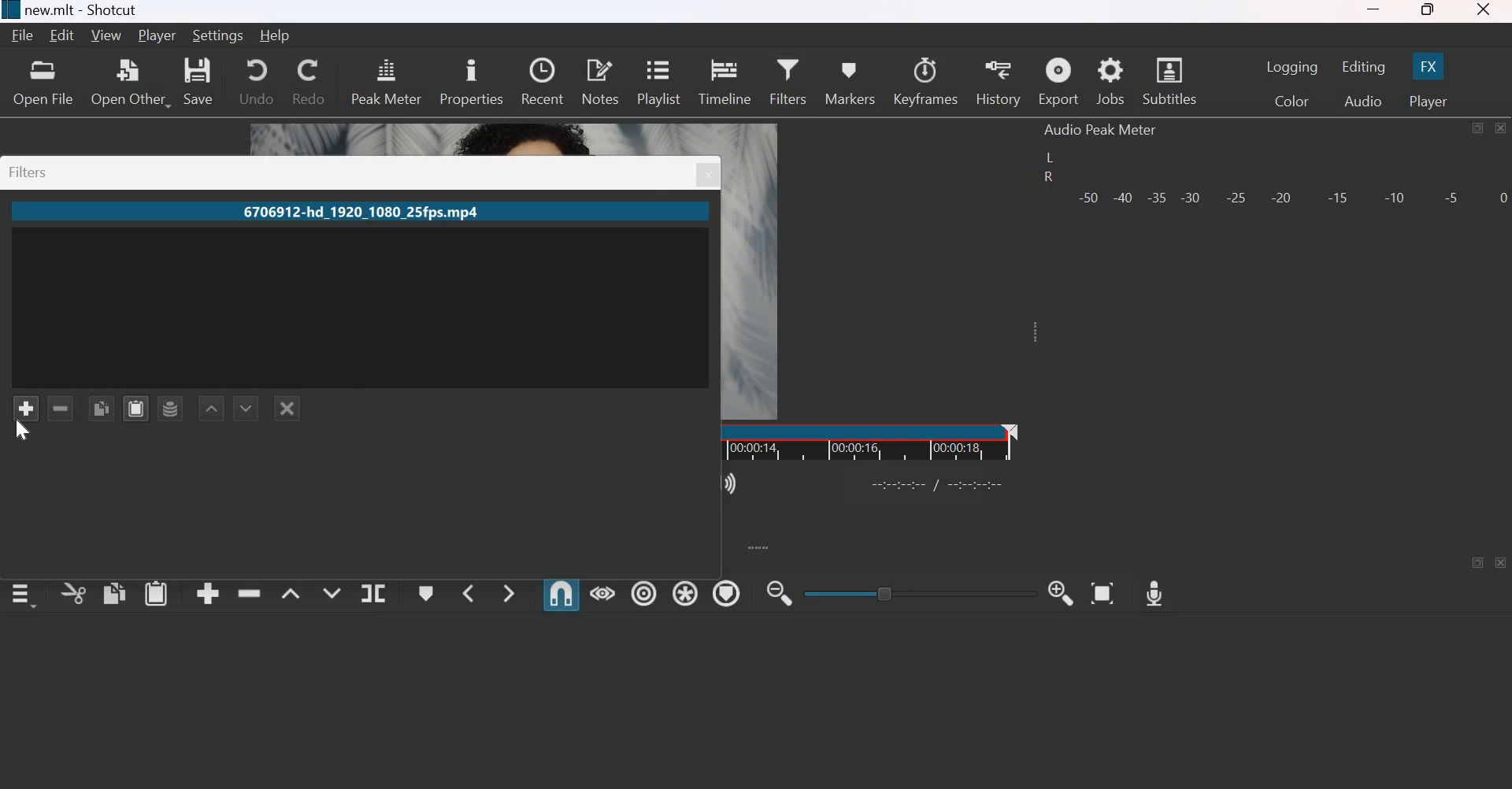  What do you see at coordinates (726, 80) in the screenshot?
I see `timeline` at bounding box center [726, 80].